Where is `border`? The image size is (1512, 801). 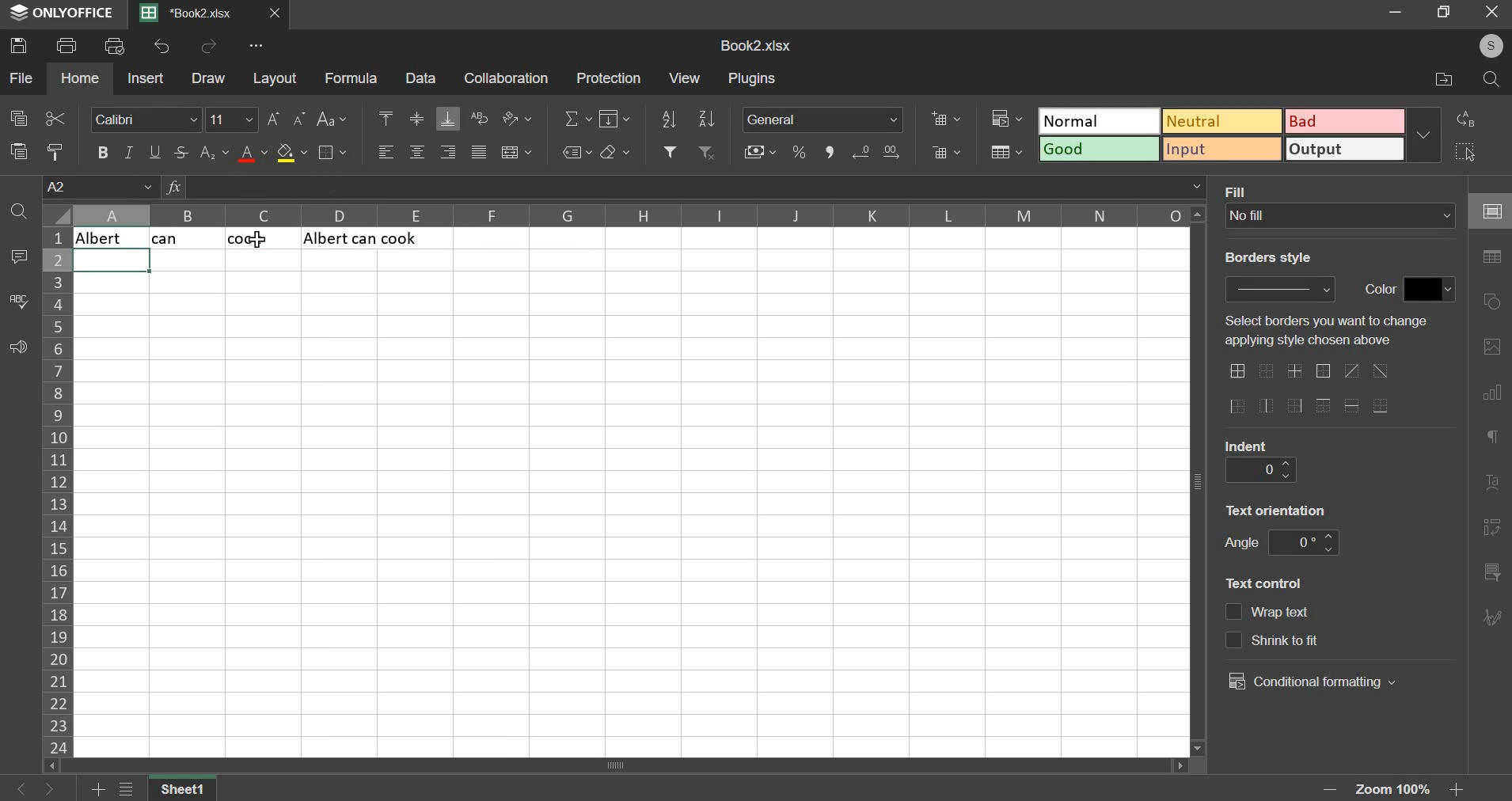
border is located at coordinates (332, 151).